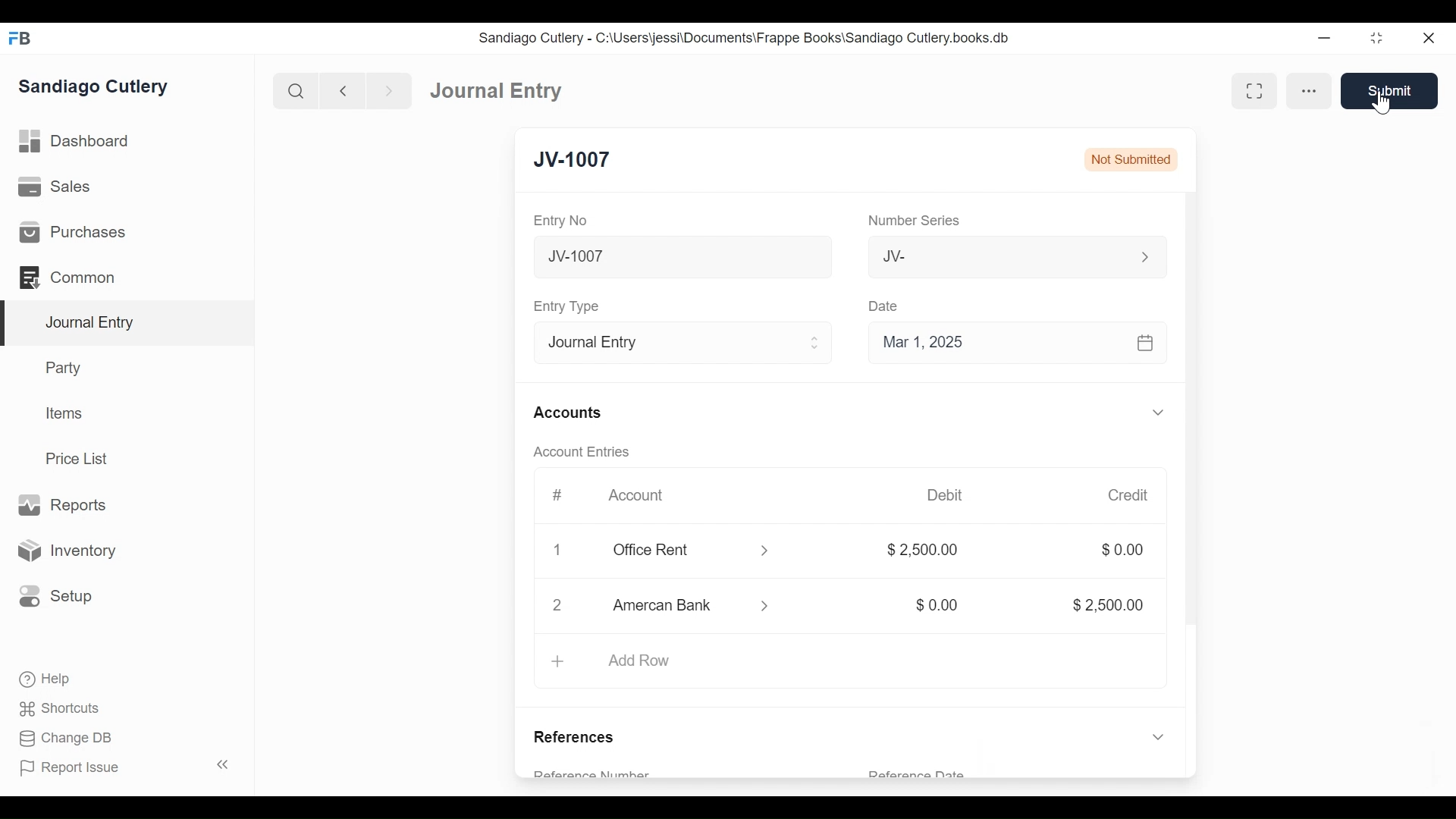  Describe the element at coordinates (566, 413) in the screenshot. I see `Accounts` at that location.